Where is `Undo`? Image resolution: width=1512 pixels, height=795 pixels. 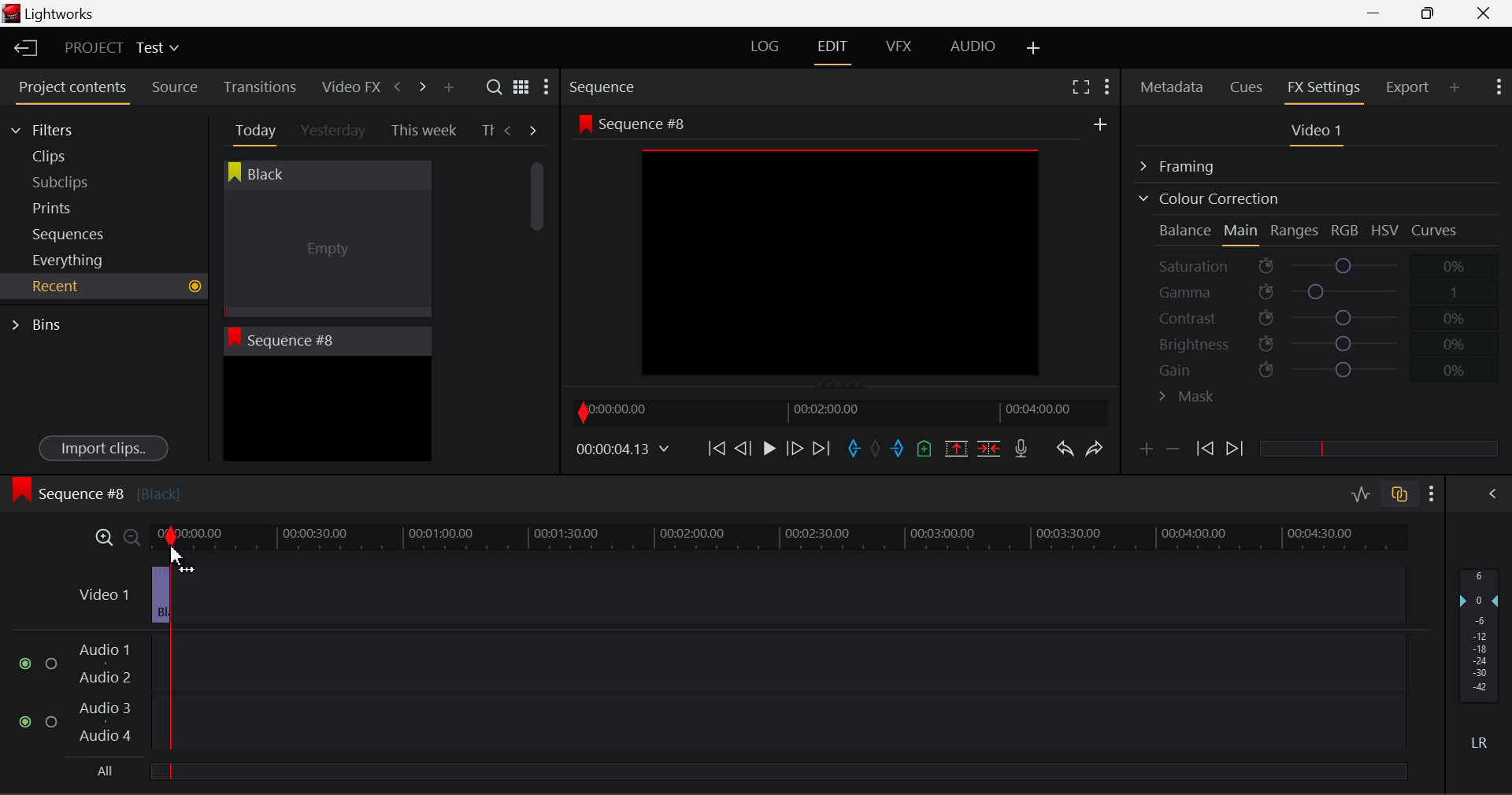
Undo is located at coordinates (1064, 452).